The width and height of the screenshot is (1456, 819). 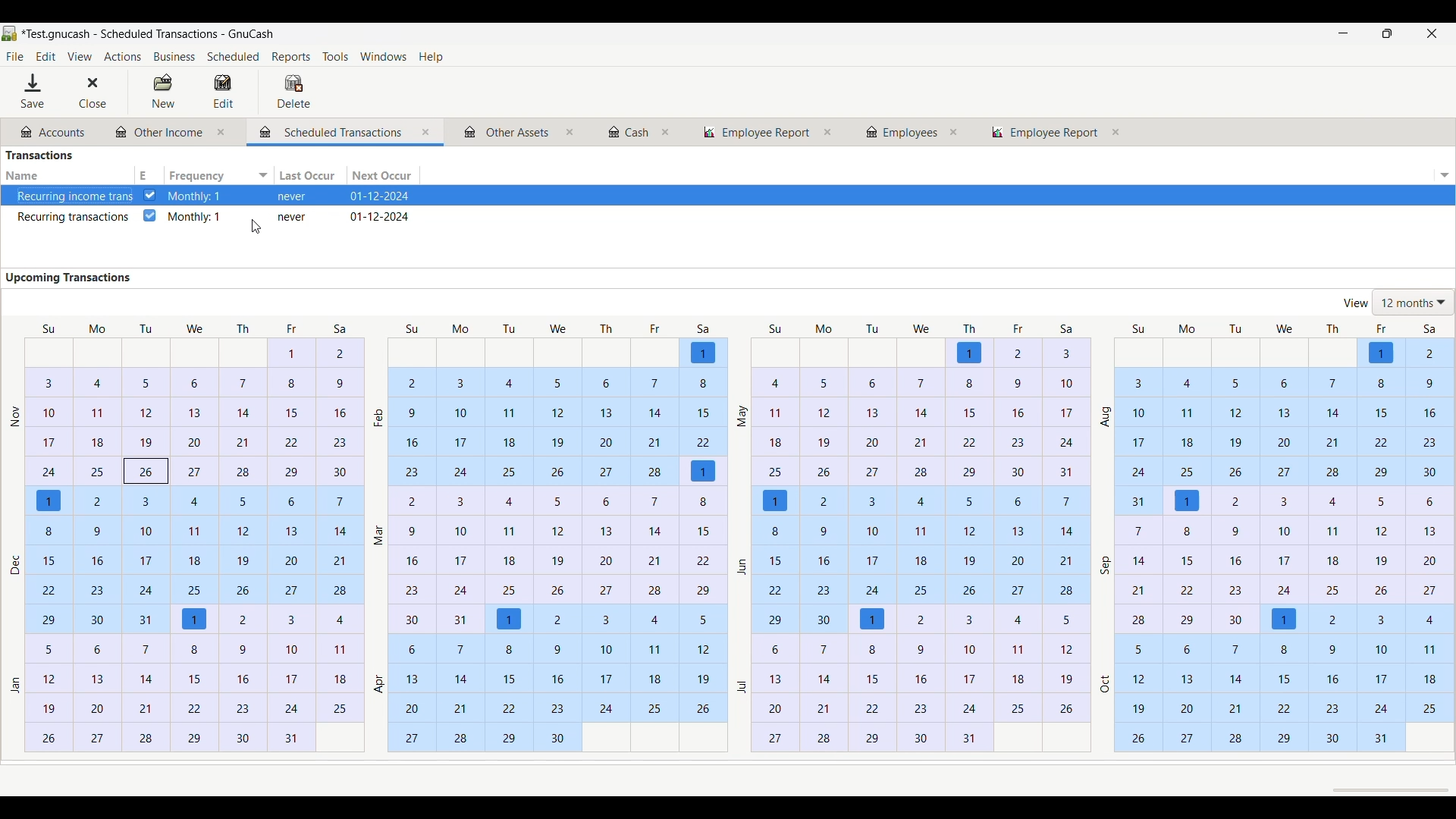 What do you see at coordinates (227, 134) in the screenshot?
I see `close` at bounding box center [227, 134].